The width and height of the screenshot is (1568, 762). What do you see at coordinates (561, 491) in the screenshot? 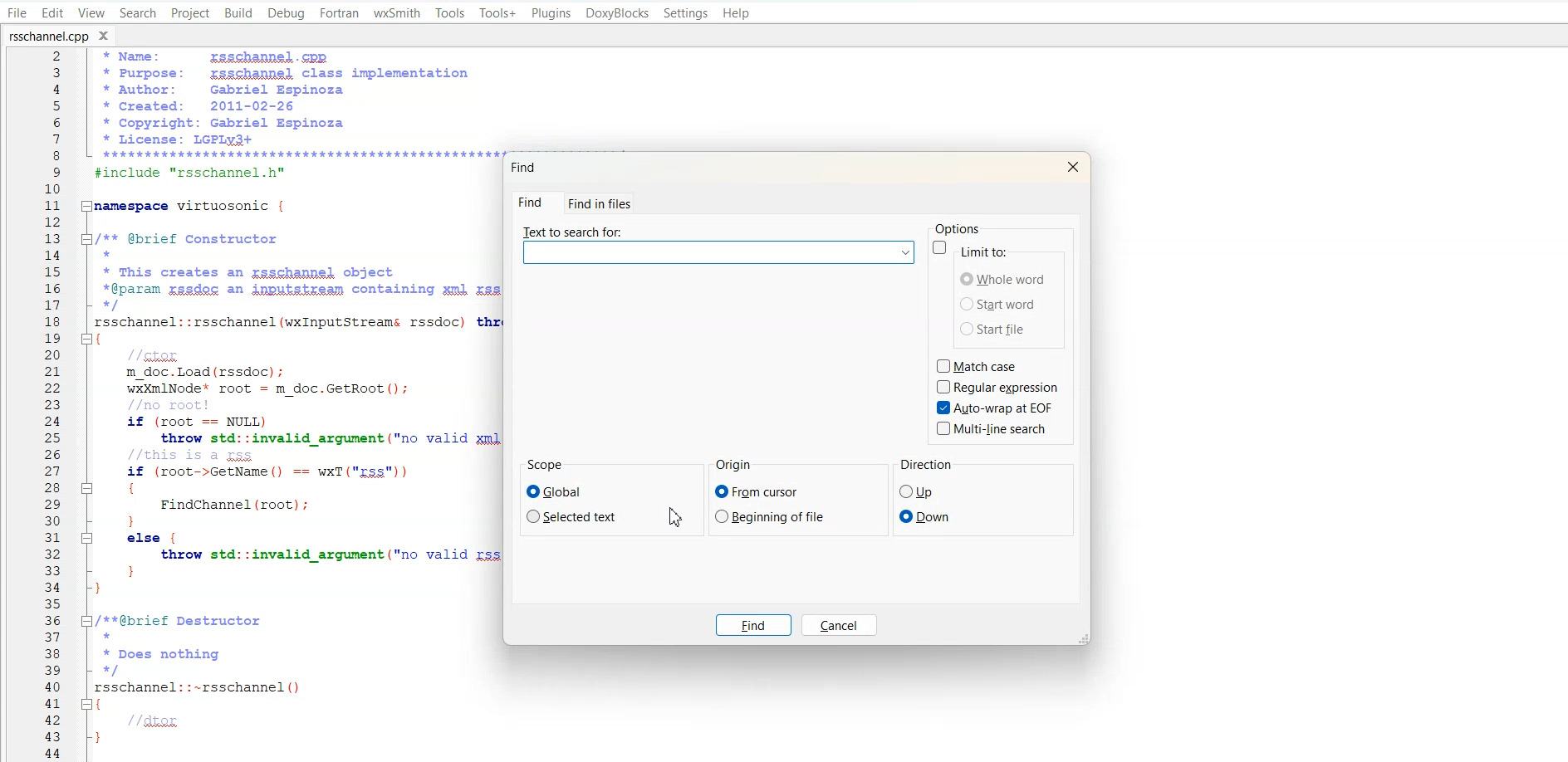
I see `Global` at bounding box center [561, 491].